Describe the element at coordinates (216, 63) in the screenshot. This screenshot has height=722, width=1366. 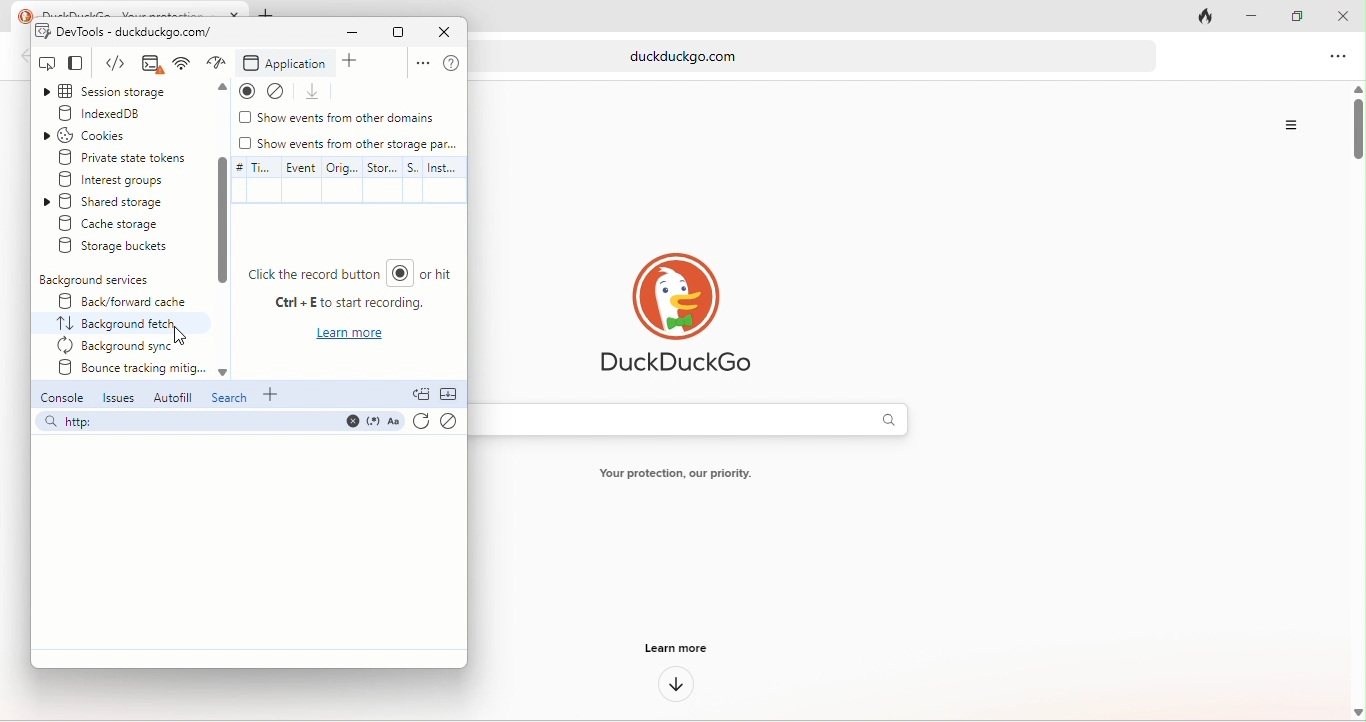
I see `network` at that location.